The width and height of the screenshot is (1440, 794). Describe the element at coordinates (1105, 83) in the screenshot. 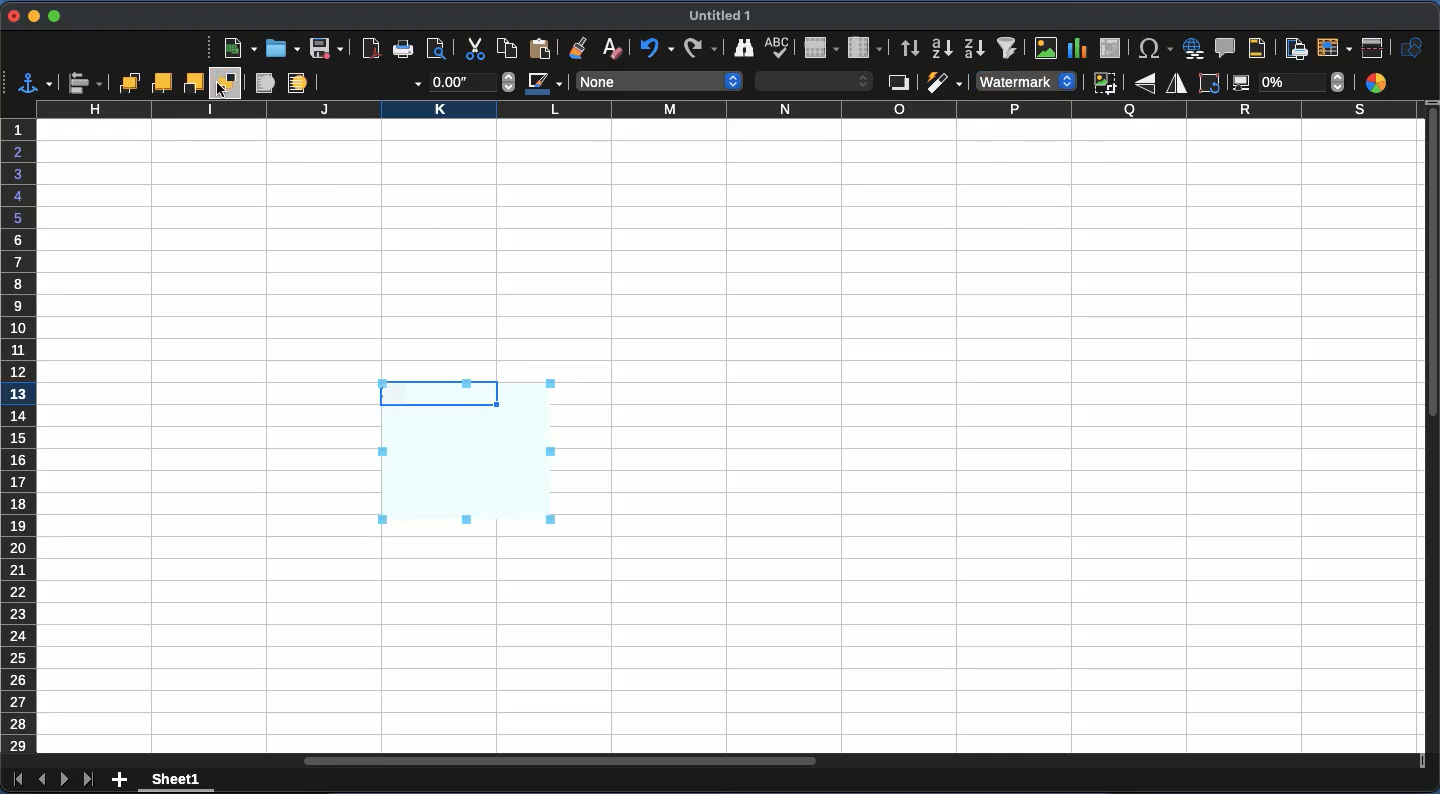

I see `crop image` at that location.